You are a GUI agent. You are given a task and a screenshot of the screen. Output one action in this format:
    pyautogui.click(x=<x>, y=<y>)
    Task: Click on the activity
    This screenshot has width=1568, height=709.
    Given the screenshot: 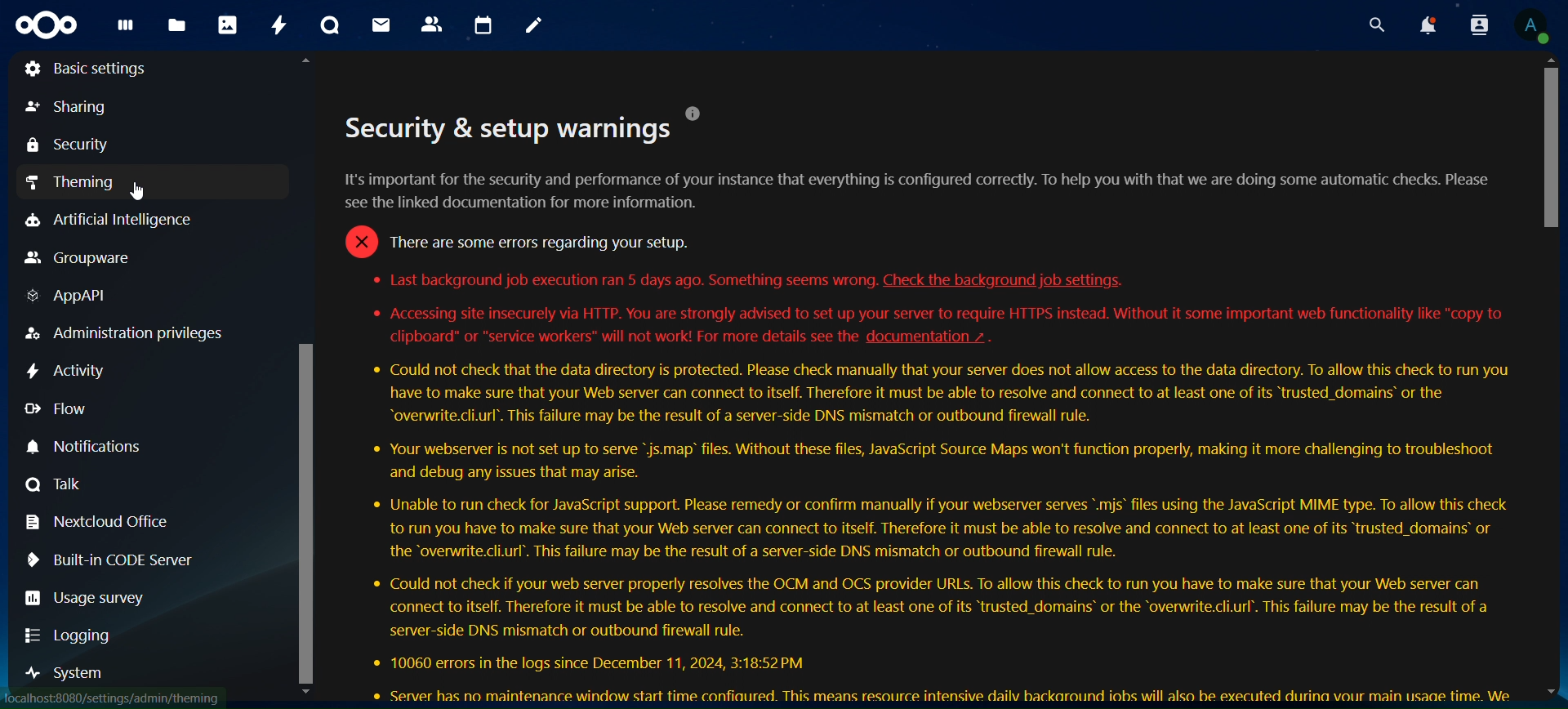 What is the action you would take?
    pyautogui.click(x=68, y=370)
    